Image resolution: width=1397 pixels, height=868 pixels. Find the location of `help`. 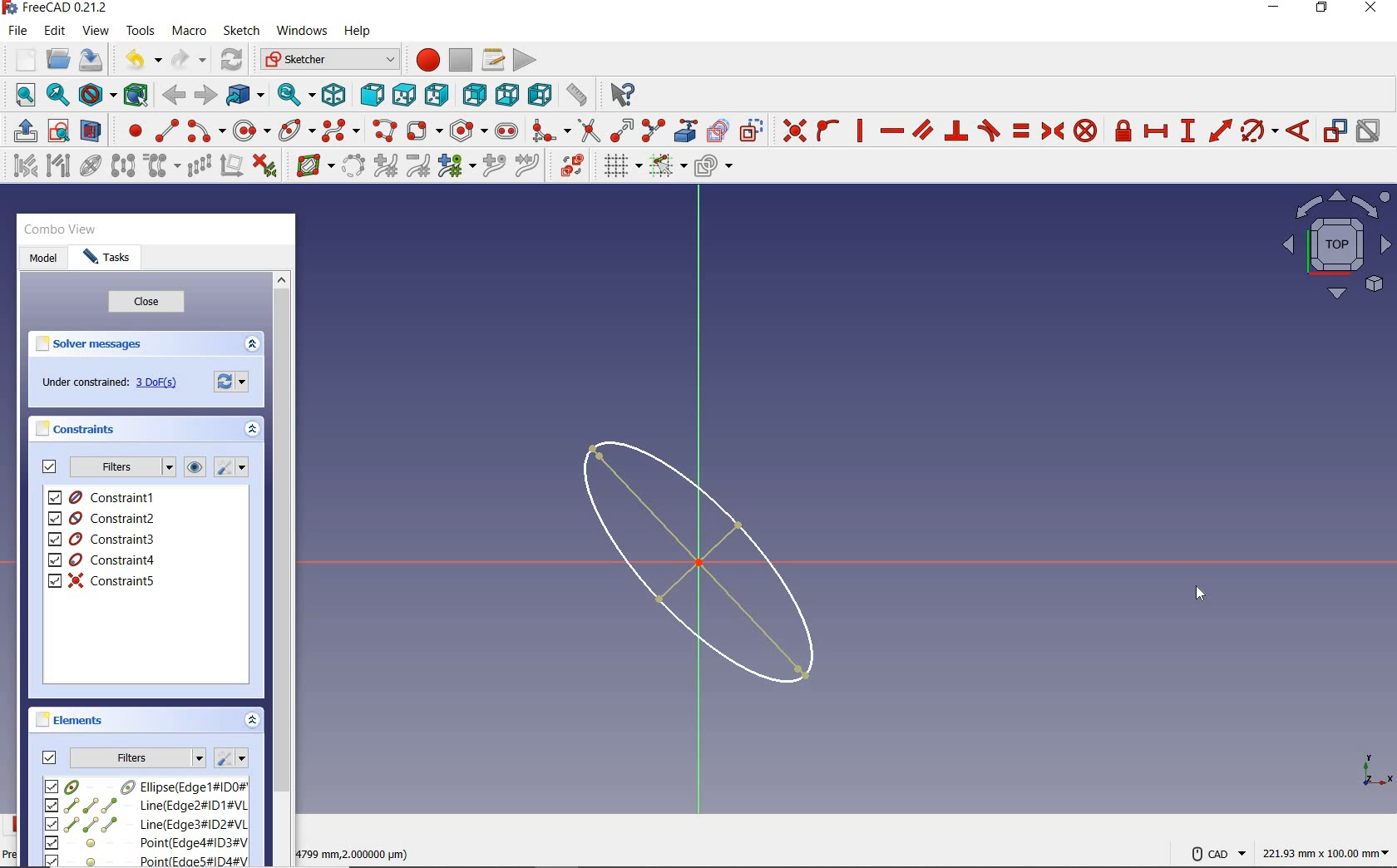

help is located at coordinates (357, 32).